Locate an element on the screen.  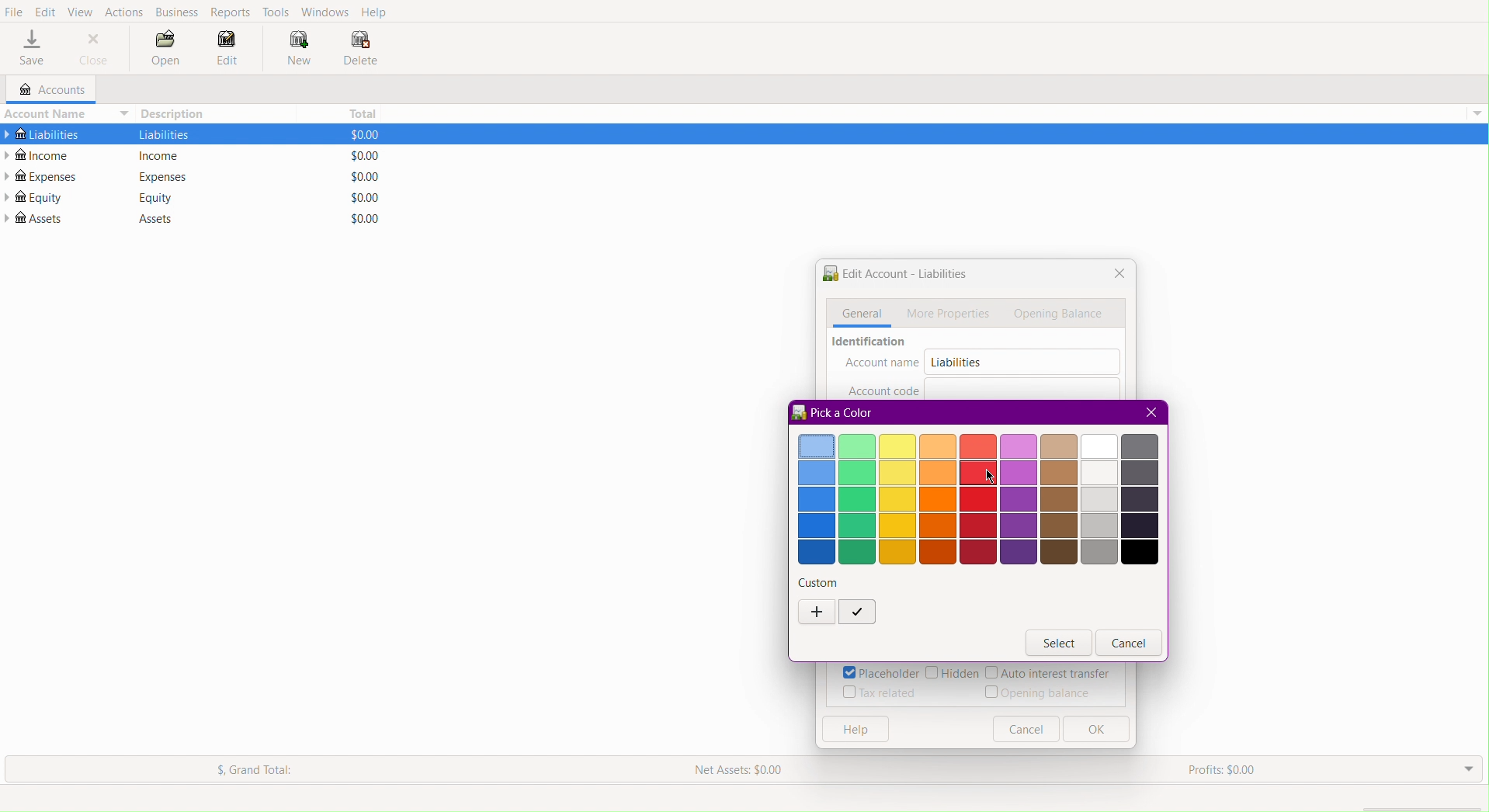
Close is located at coordinates (95, 48).